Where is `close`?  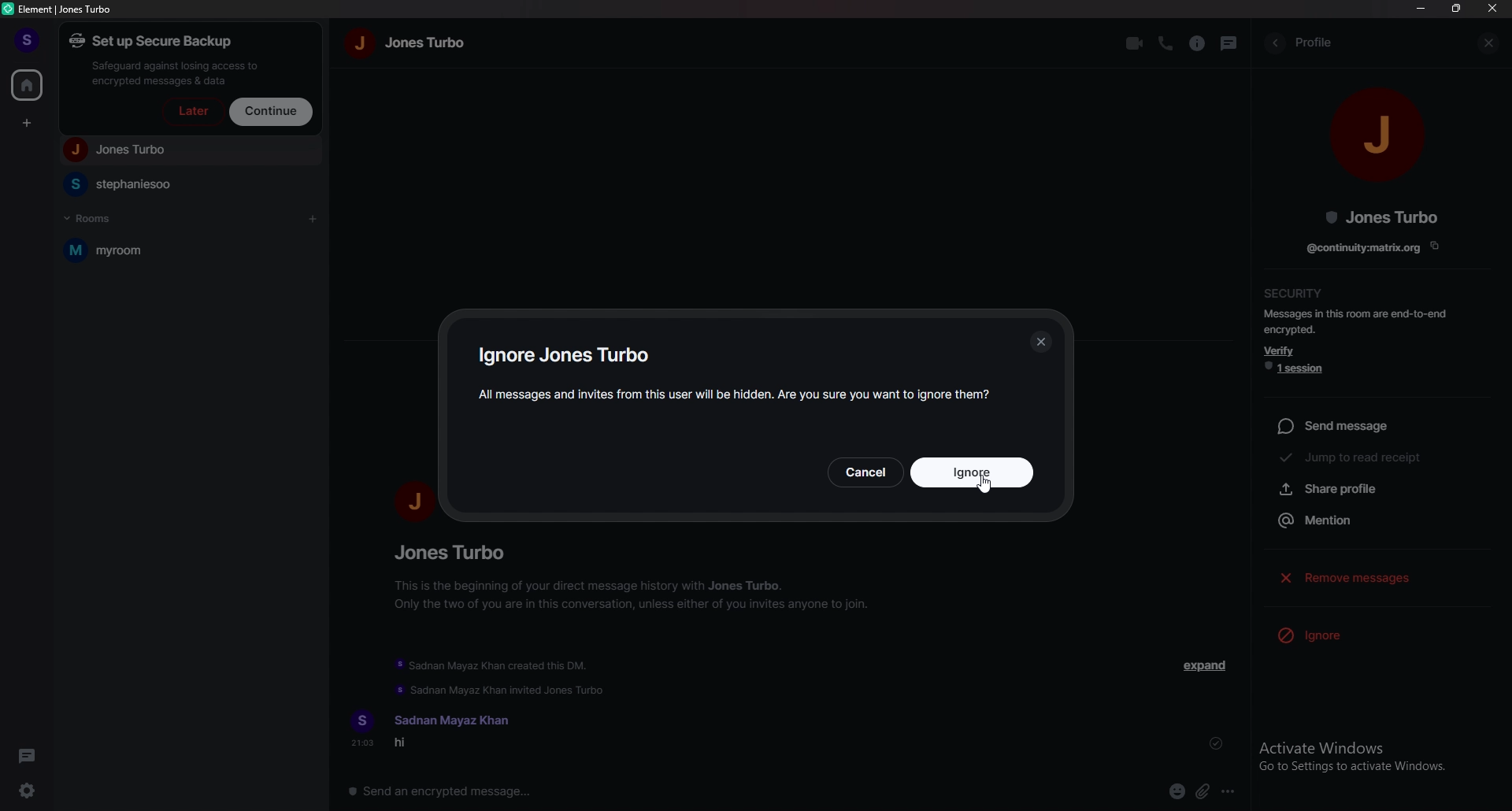 close is located at coordinates (1041, 339).